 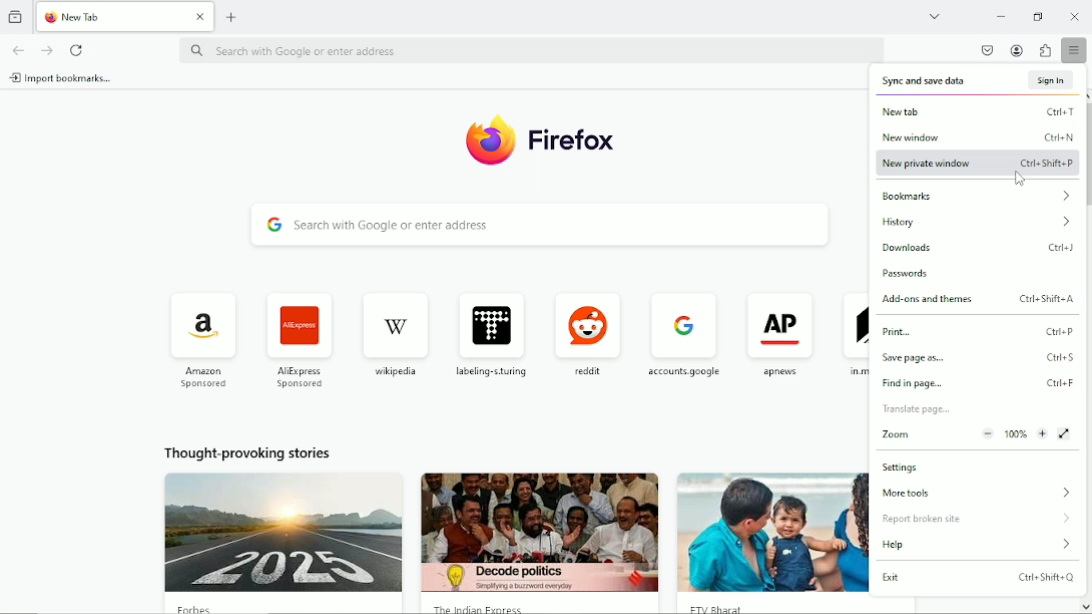 What do you see at coordinates (978, 163) in the screenshot?
I see `new private window` at bounding box center [978, 163].